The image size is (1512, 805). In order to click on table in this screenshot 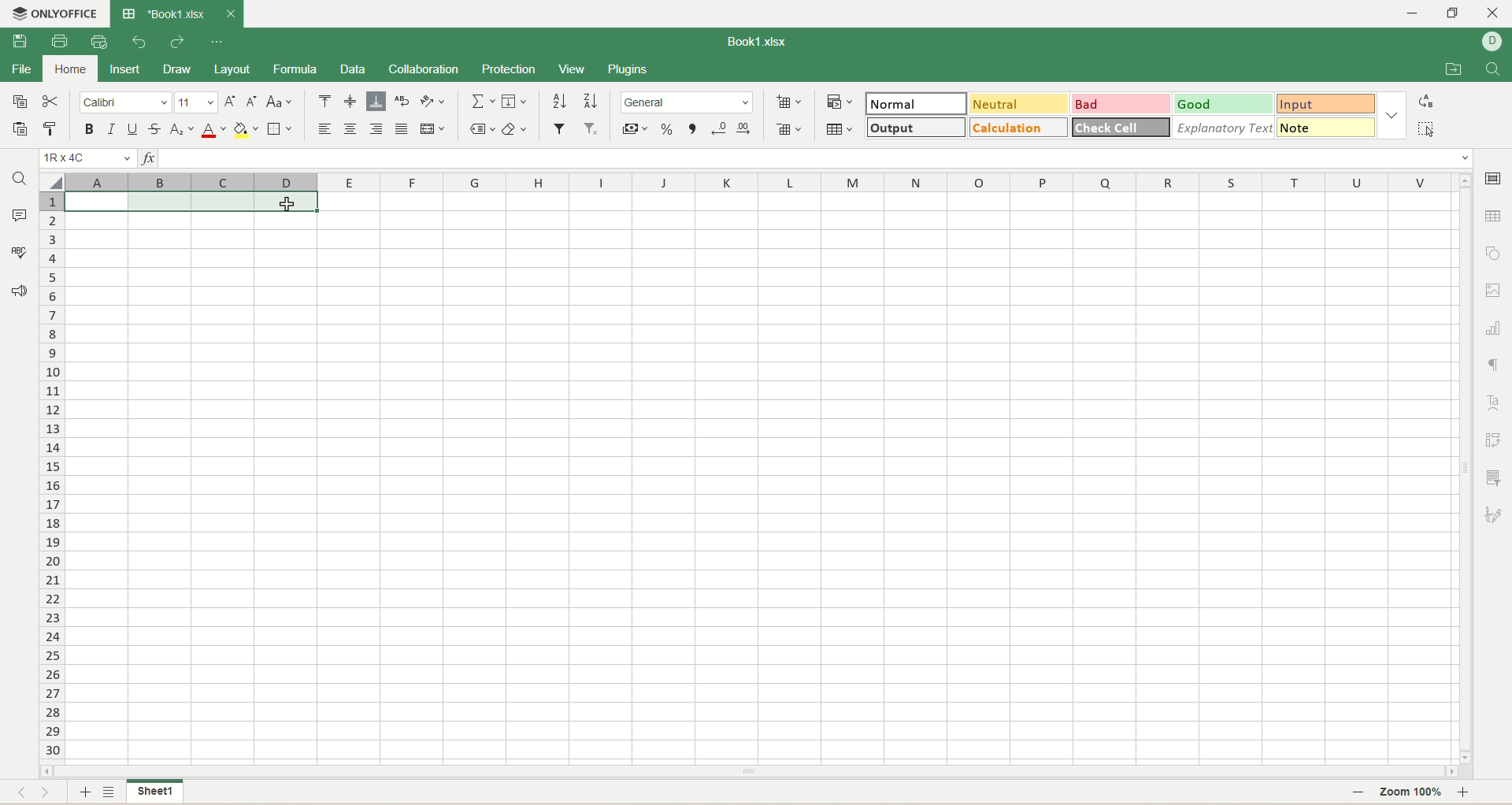, I will do `click(843, 129)`.